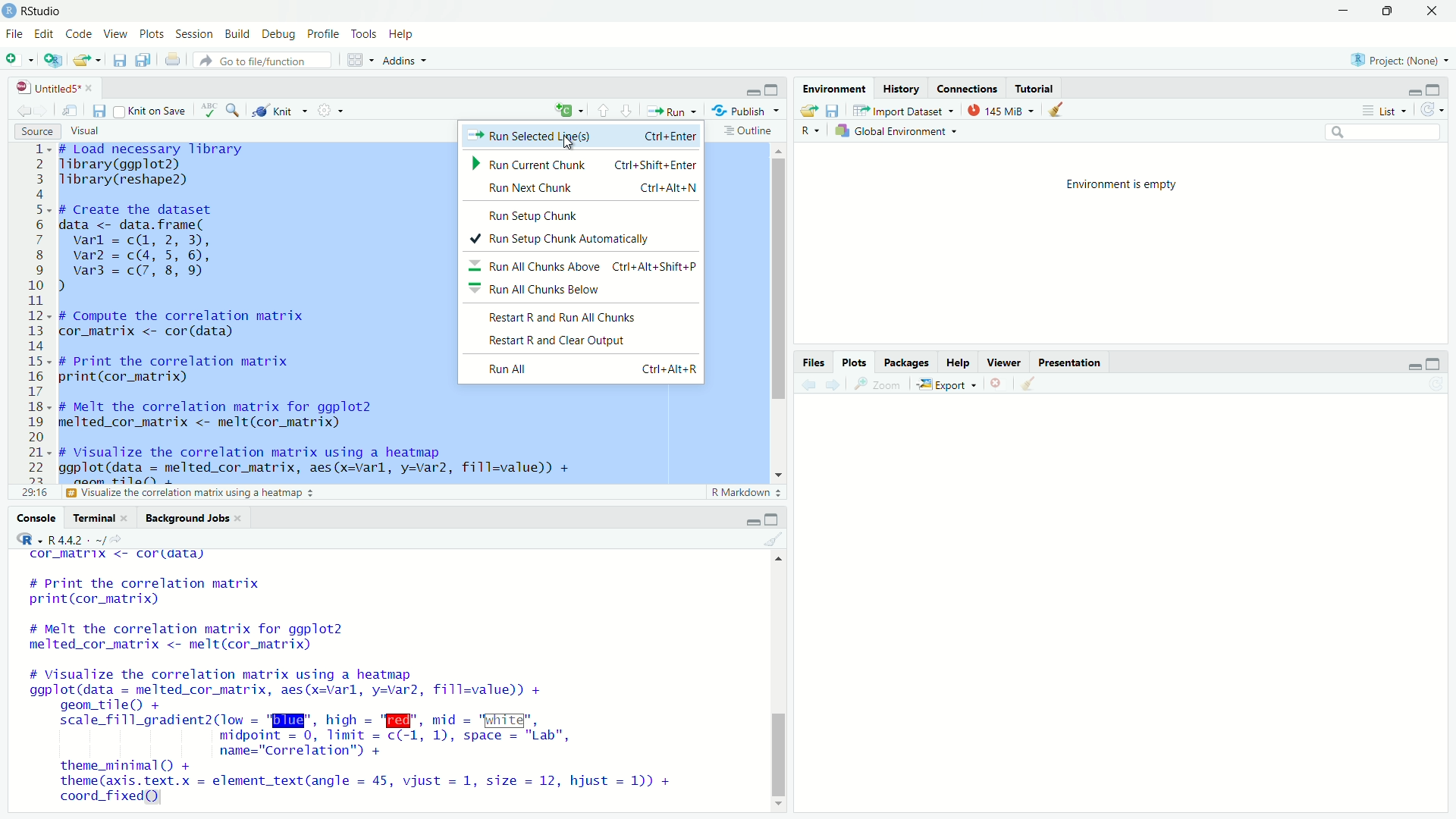 The width and height of the screenshot is (1456, 819). What do you see at coordinates (1125, 186) in the screenshot?
I see `environment is empty` at bounding box center [1125, 186].